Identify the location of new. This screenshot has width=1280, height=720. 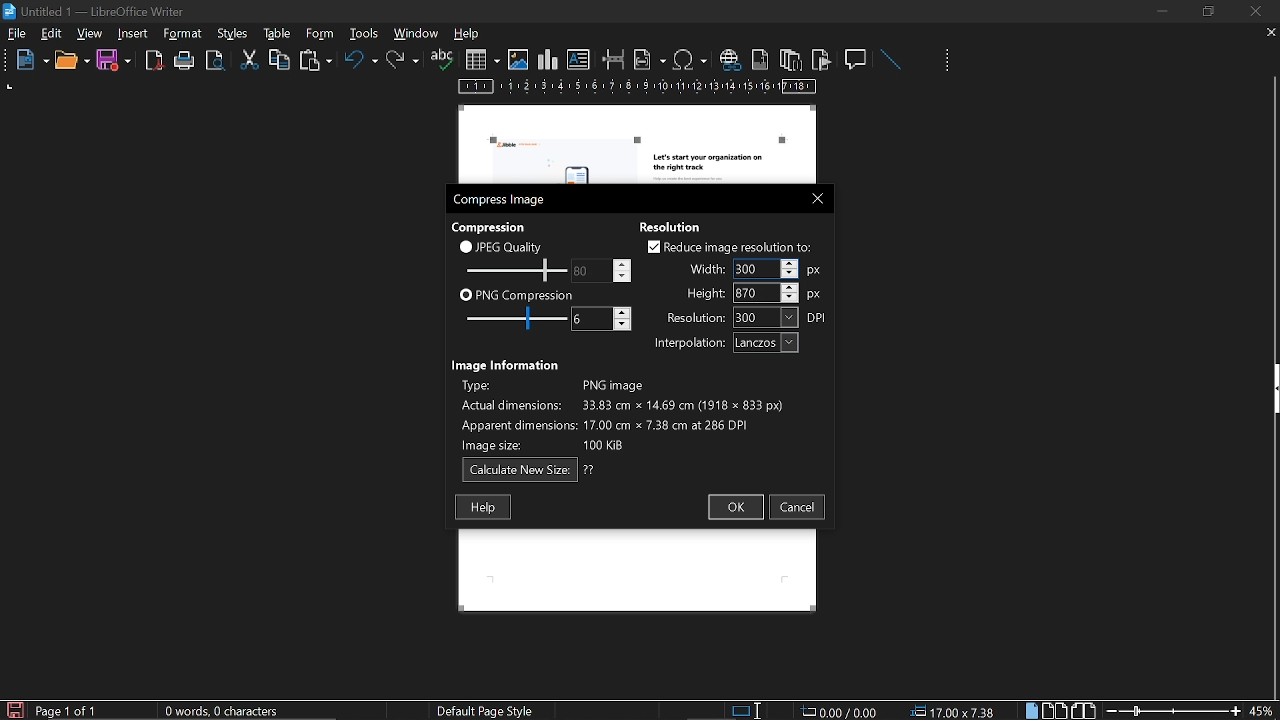
(27, 61).